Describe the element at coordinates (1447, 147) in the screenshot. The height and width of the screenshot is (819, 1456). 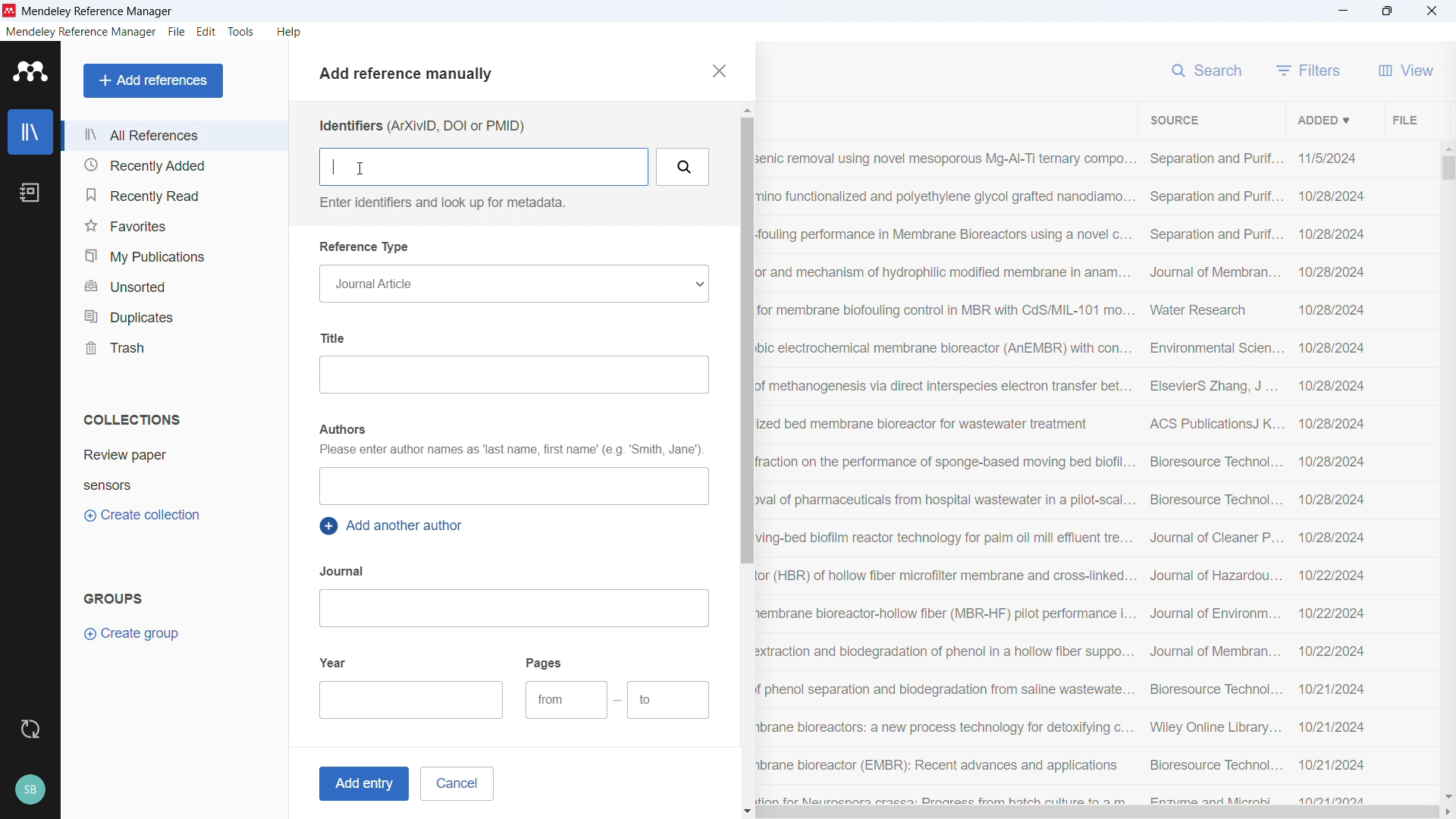
I see `Scroll up ` at that location.